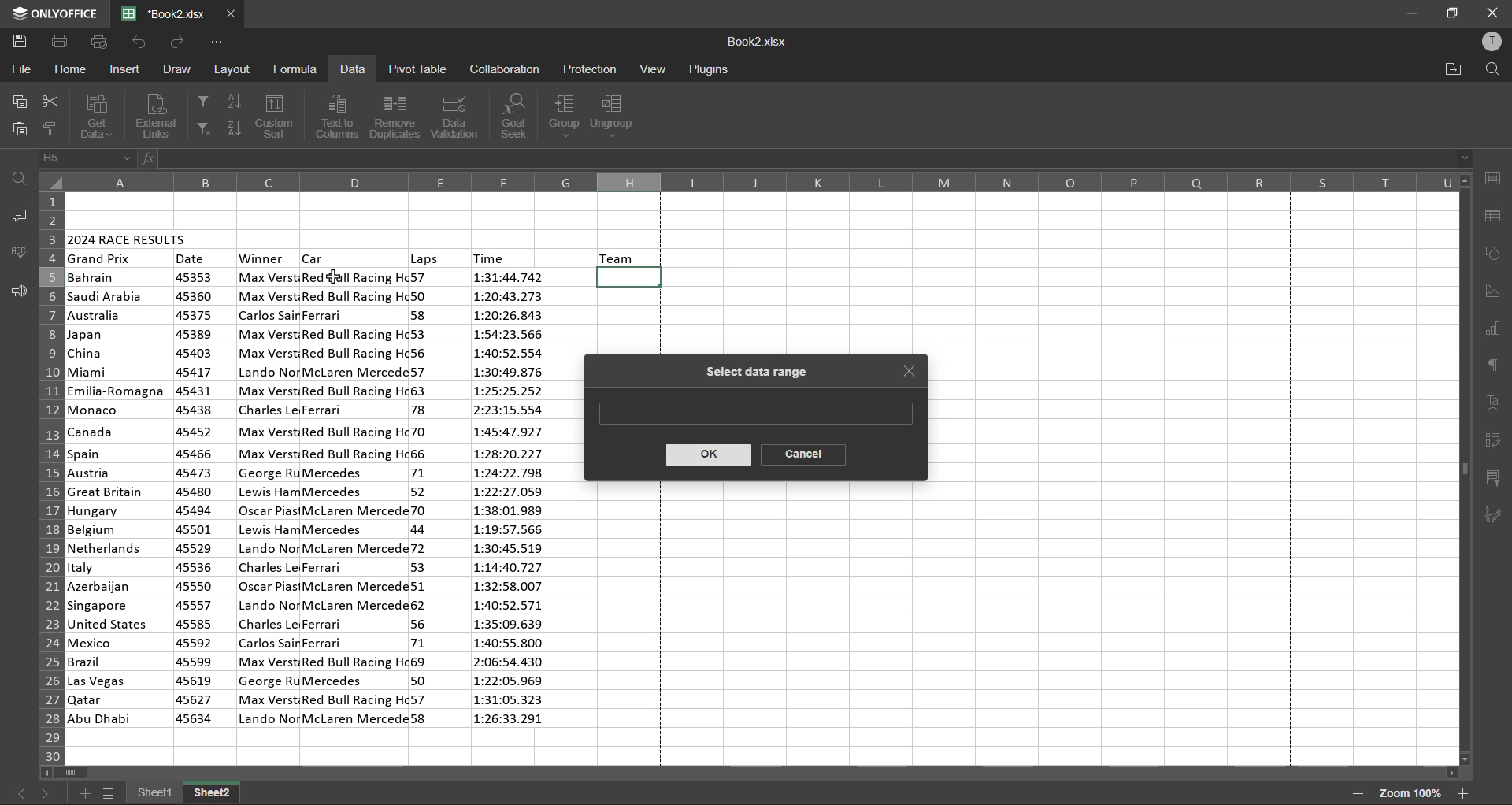  What do you see at coordinates (234, 126) in the screenshot?
I see `sort descending` at bounding box center [234, 126].